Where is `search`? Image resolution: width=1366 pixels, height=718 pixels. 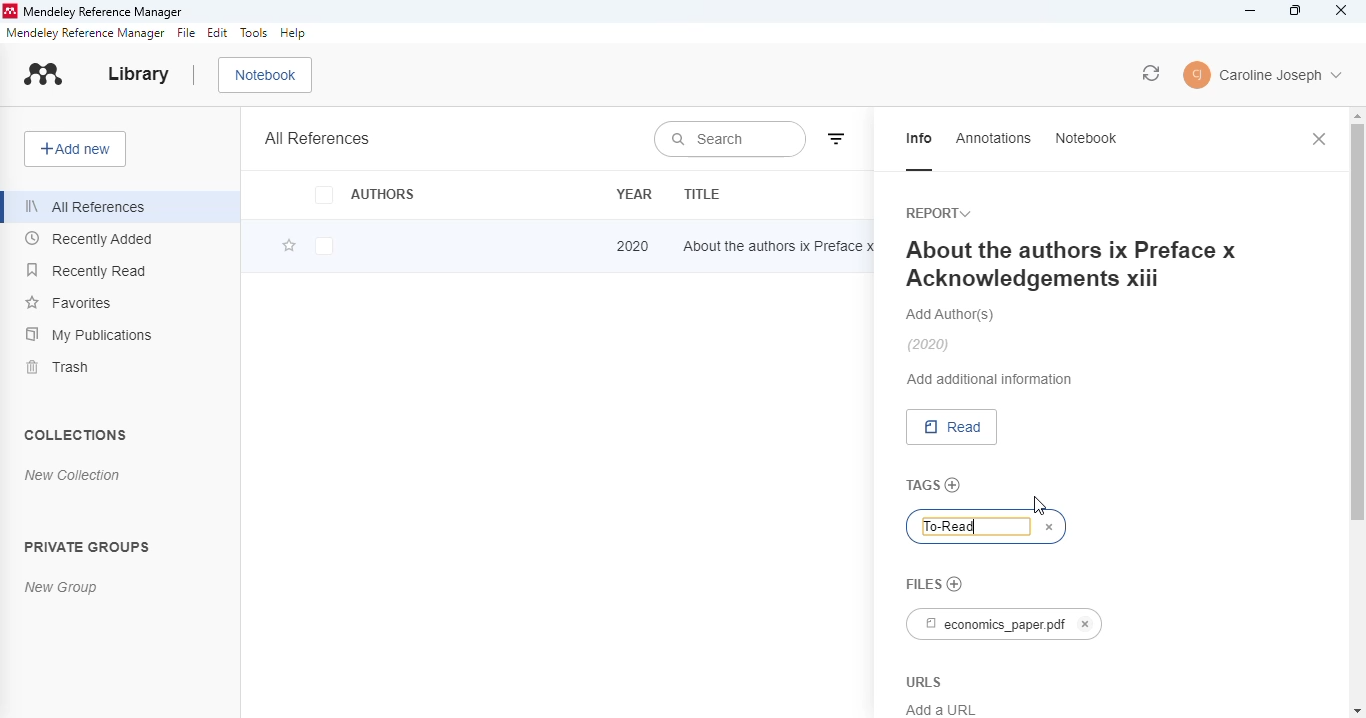 search is located at coordinates (731, 141).